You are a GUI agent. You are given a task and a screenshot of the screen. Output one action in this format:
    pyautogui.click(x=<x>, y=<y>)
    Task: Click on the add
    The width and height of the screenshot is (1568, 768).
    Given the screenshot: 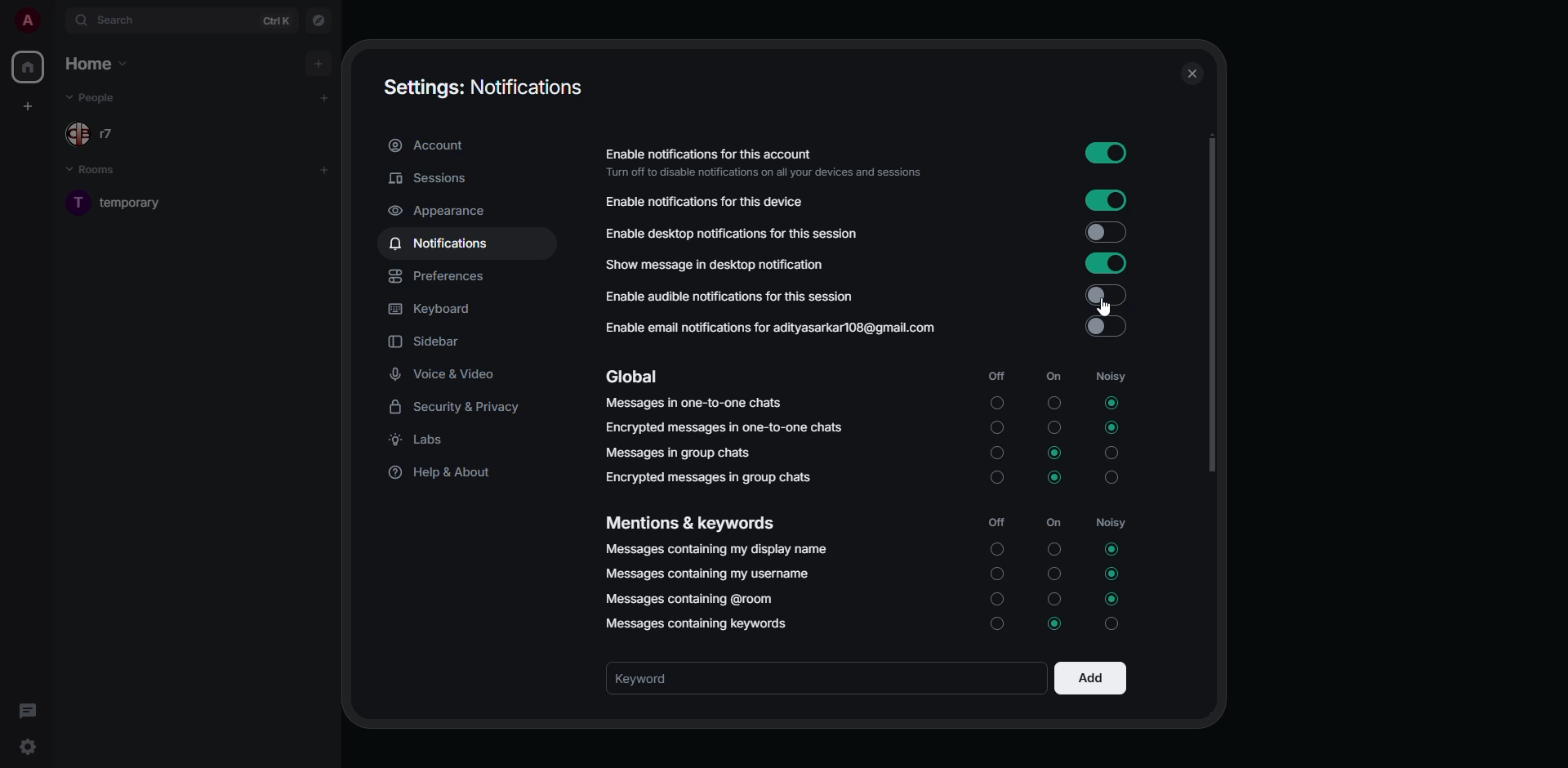 What is the action you would take?
    pyautogui.click(x=1089, y=679)
    